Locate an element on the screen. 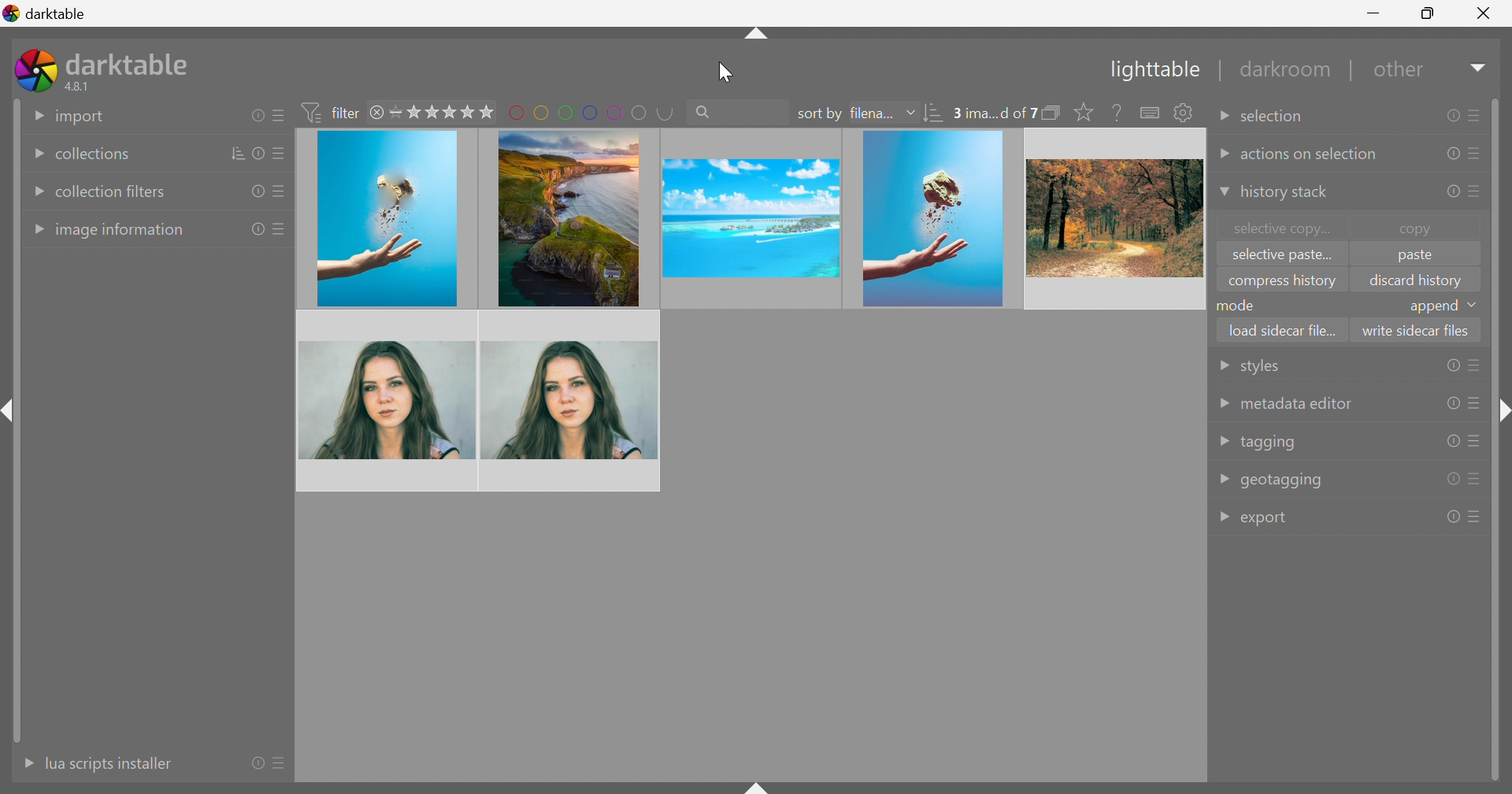 The height and width of the screenshot is (794, 1512). define shortcuts is located at coordinates (1151, 113).